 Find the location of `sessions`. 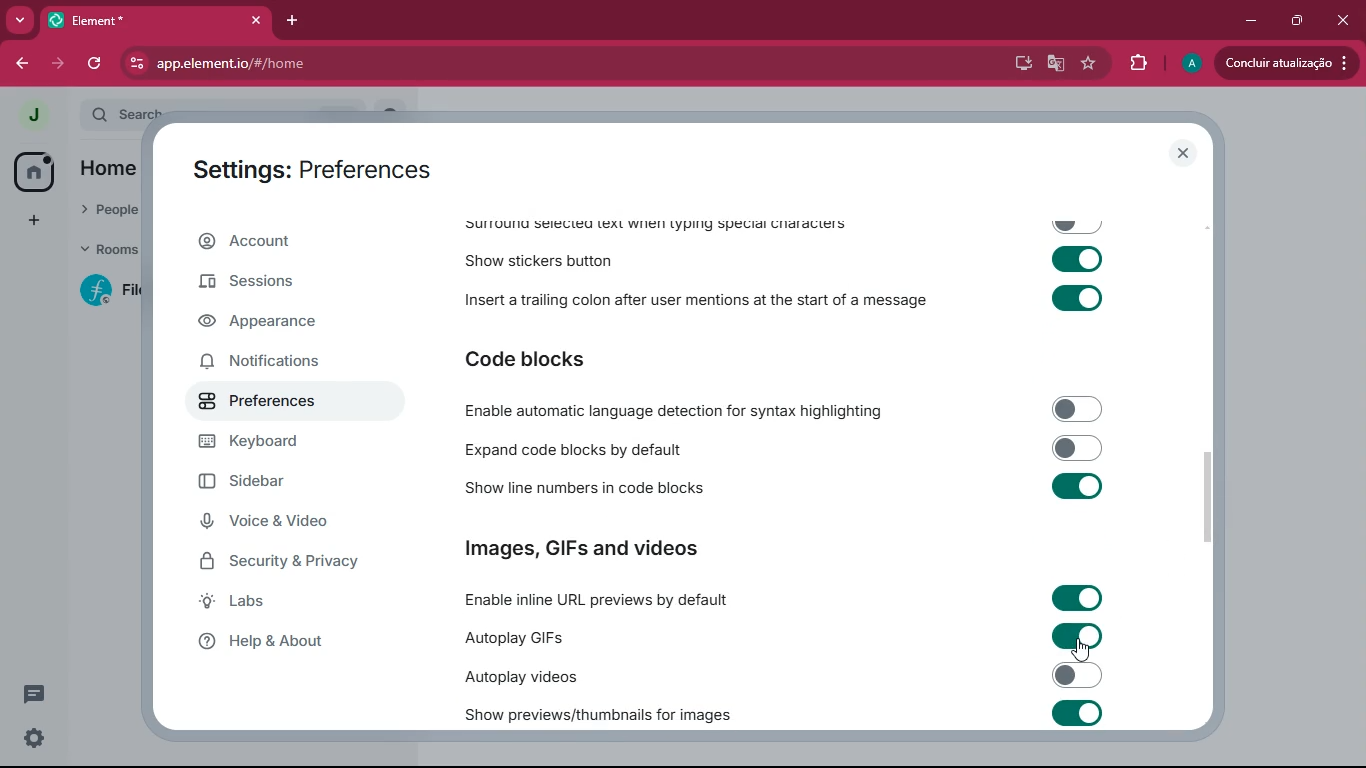

sessions is located at coordinates (284, 280).